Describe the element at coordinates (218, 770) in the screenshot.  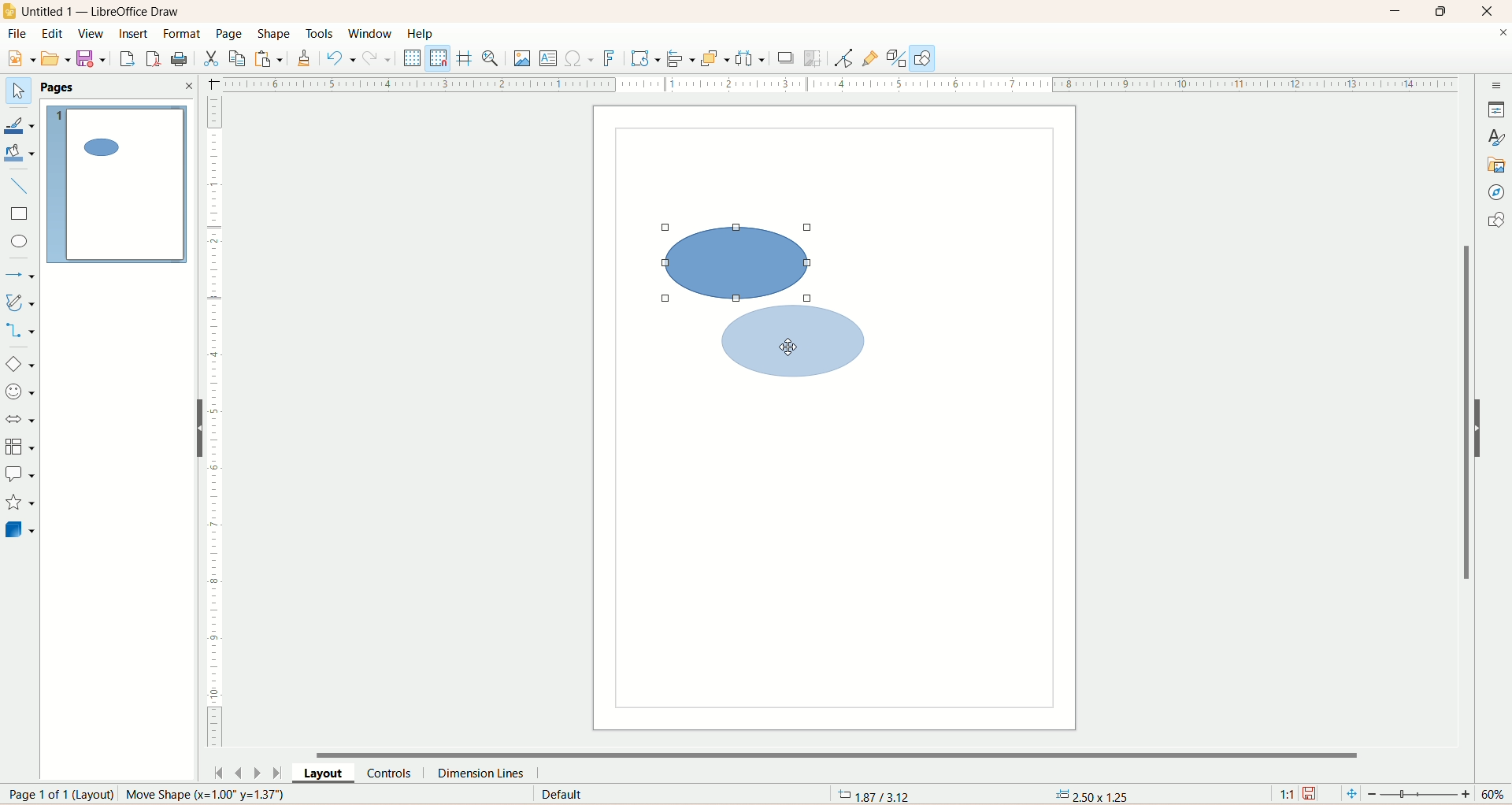
I see `first page` at that location.